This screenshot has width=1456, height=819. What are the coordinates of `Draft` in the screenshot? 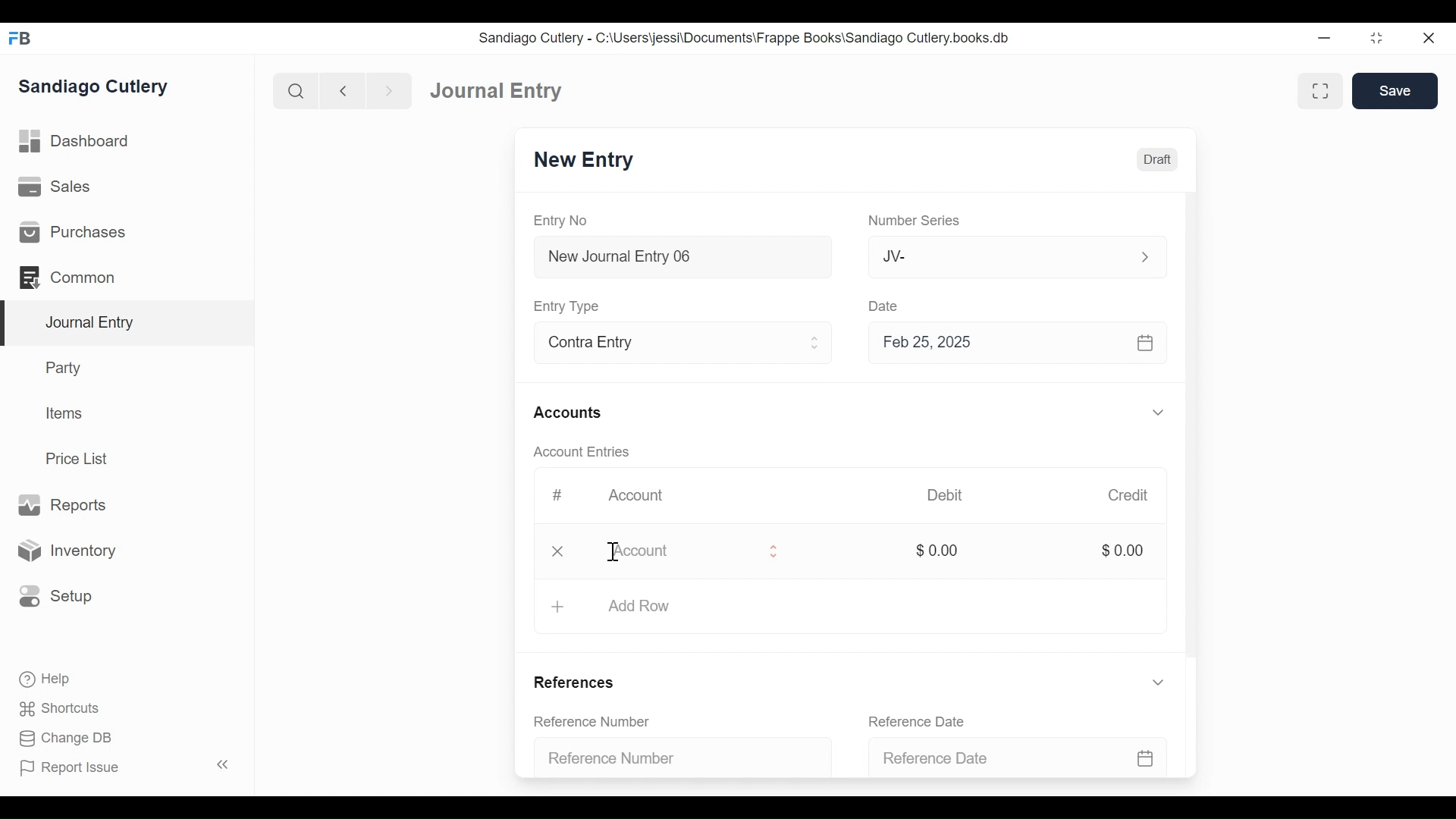 It's located at (1157, 160).